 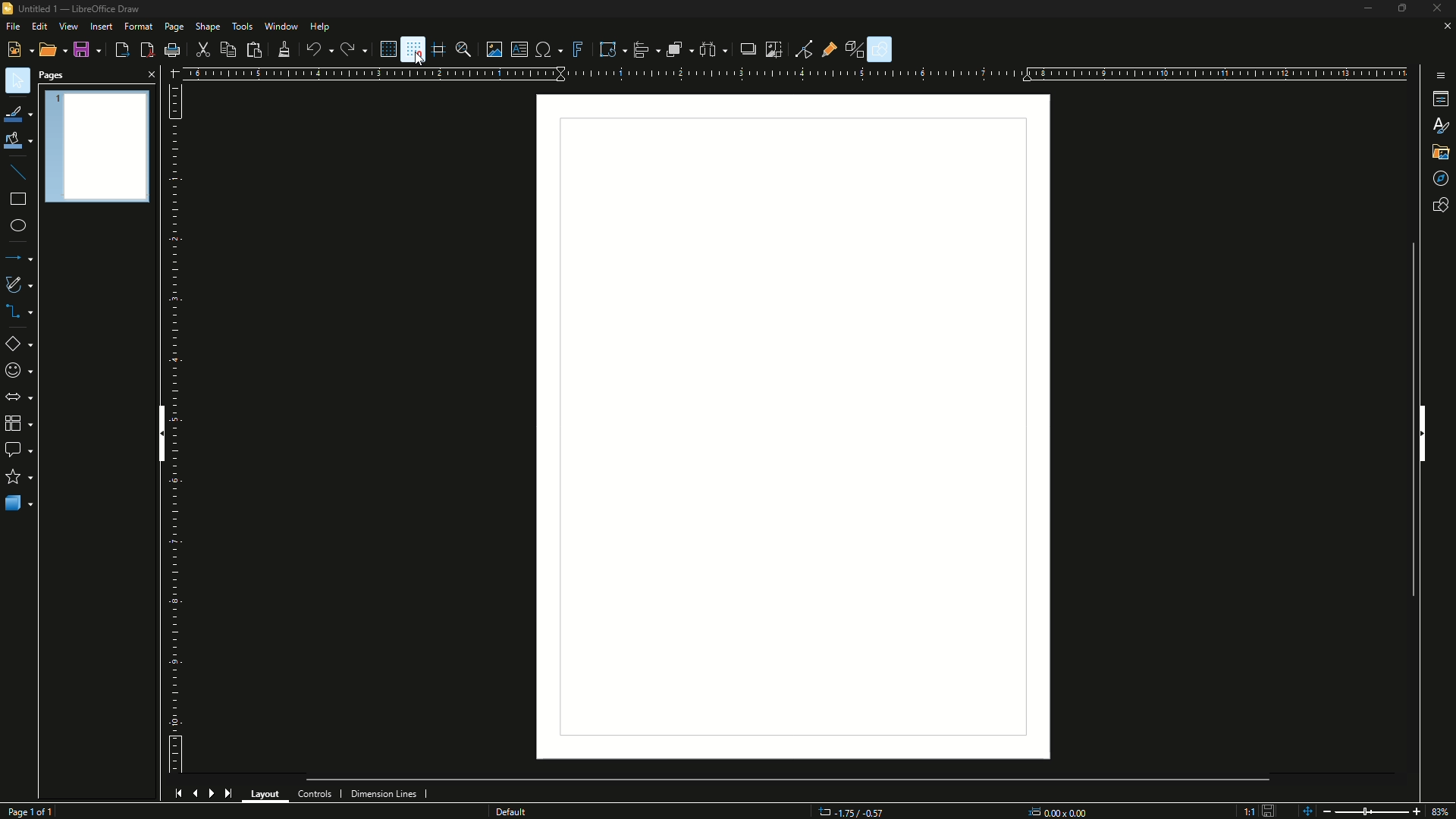 I want to click on Files, so click(x=1438, y=153).